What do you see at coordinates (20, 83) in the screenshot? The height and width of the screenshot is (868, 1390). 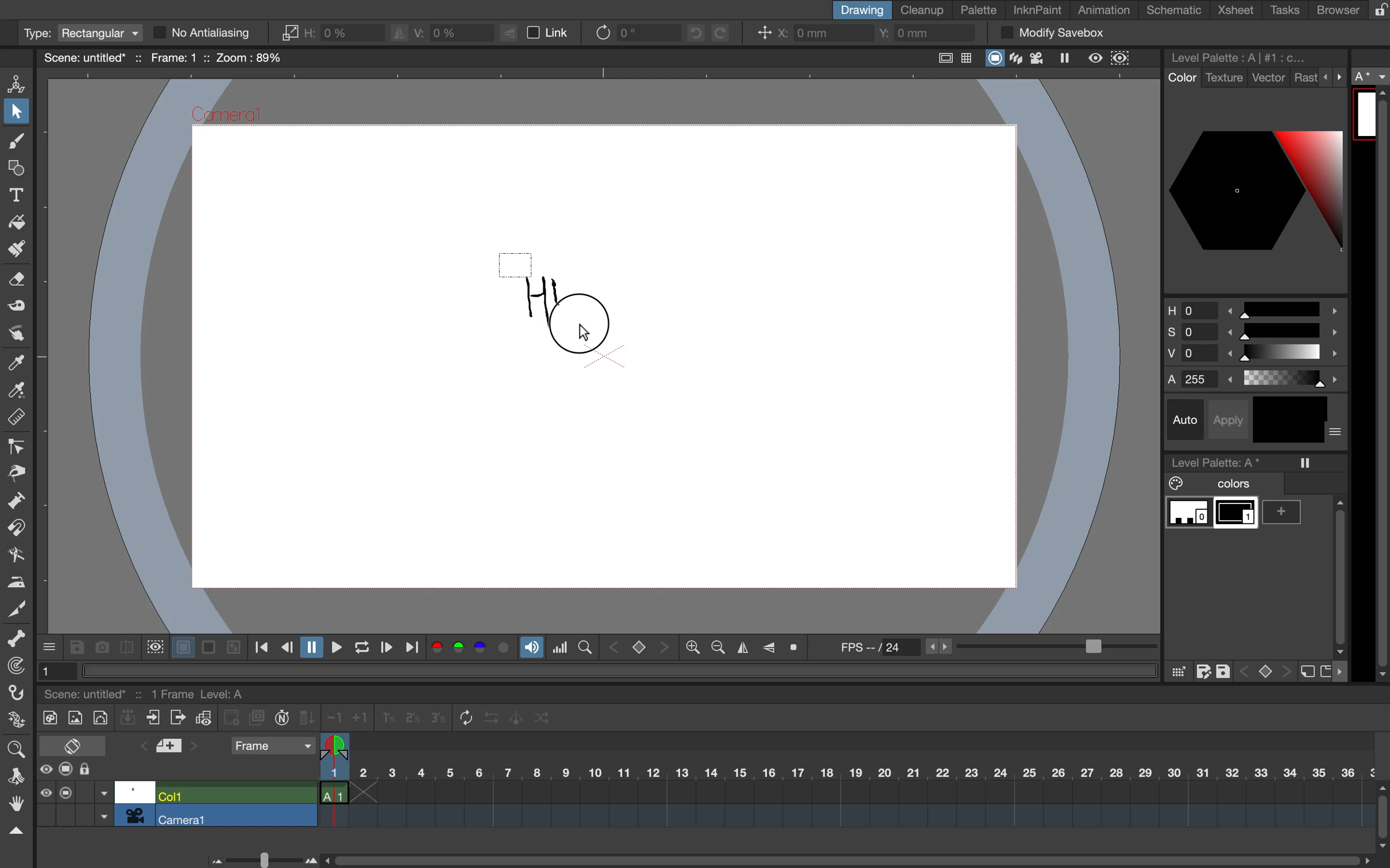 I see `animate tool` at bounding box center [20, 83].